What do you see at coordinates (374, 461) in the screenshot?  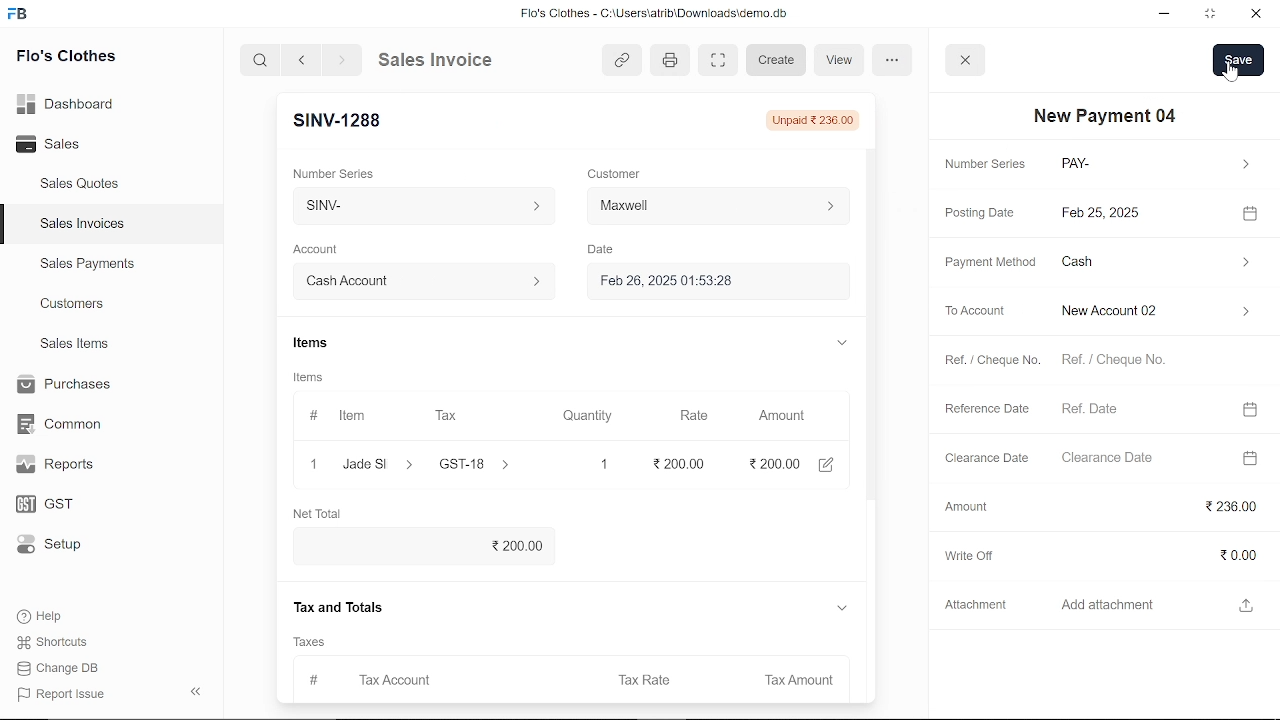 I see `Jade slippers` at bounding box center [374, 461].